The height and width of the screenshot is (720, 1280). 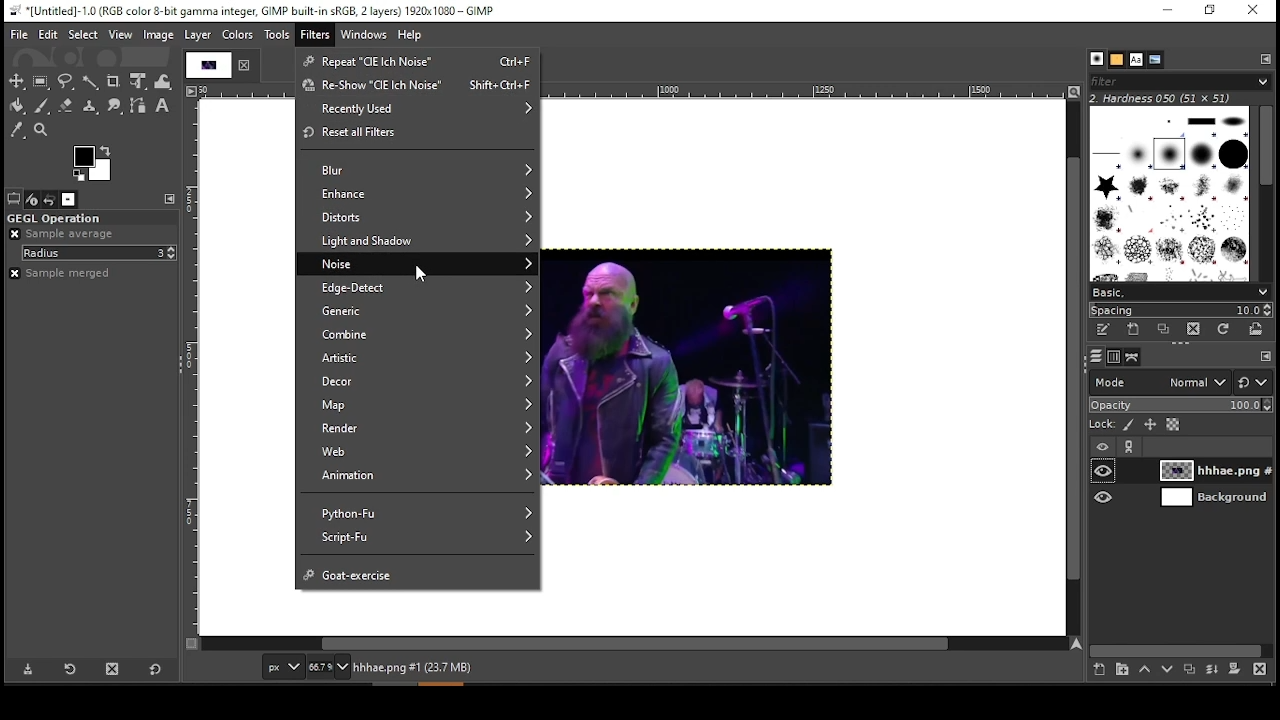 What do you see at coordinates (1172, 670) in the screenshot?
I see `move layer on step down` at bounding box center [1172, 670].